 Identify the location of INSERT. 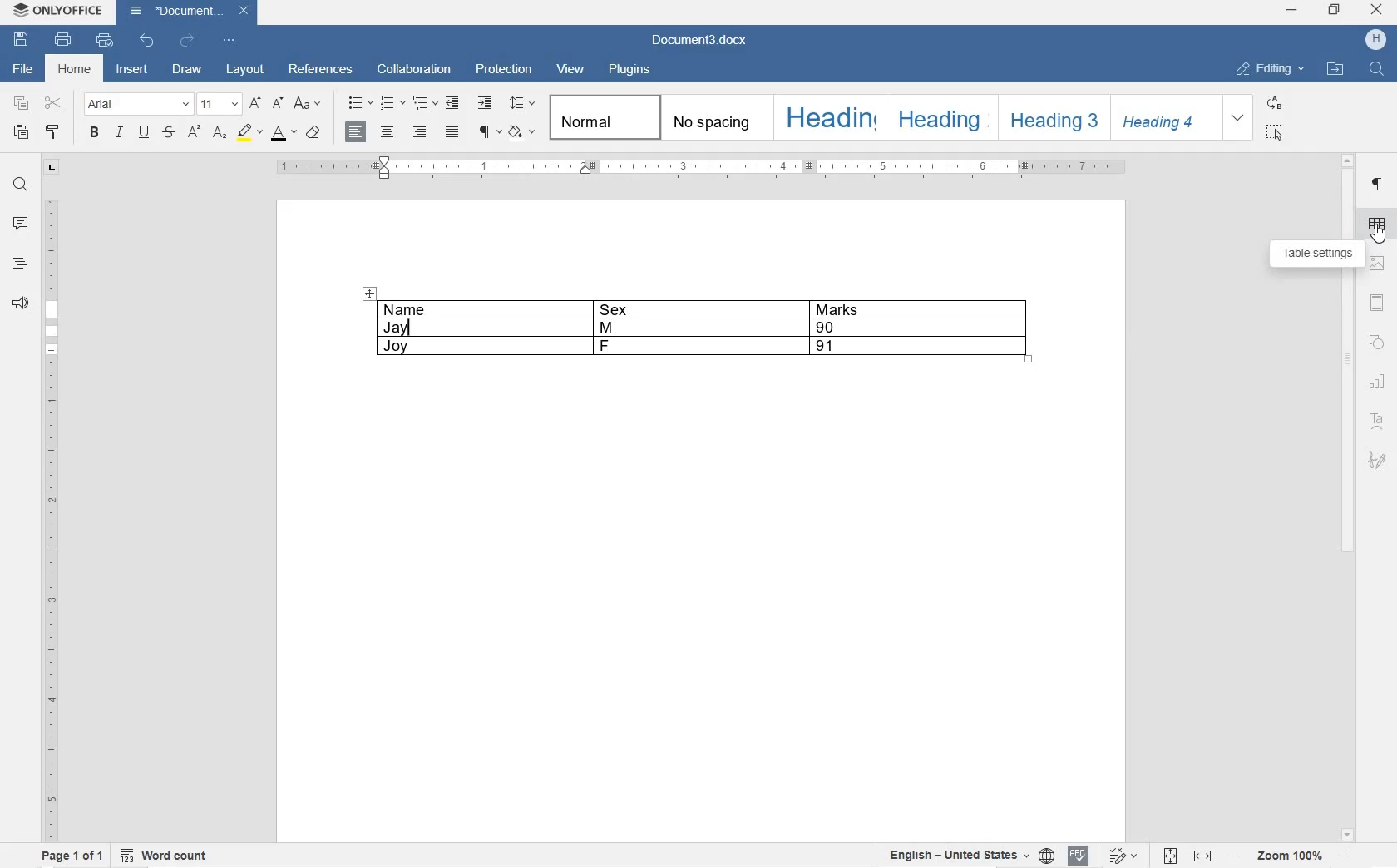
(134, 70).